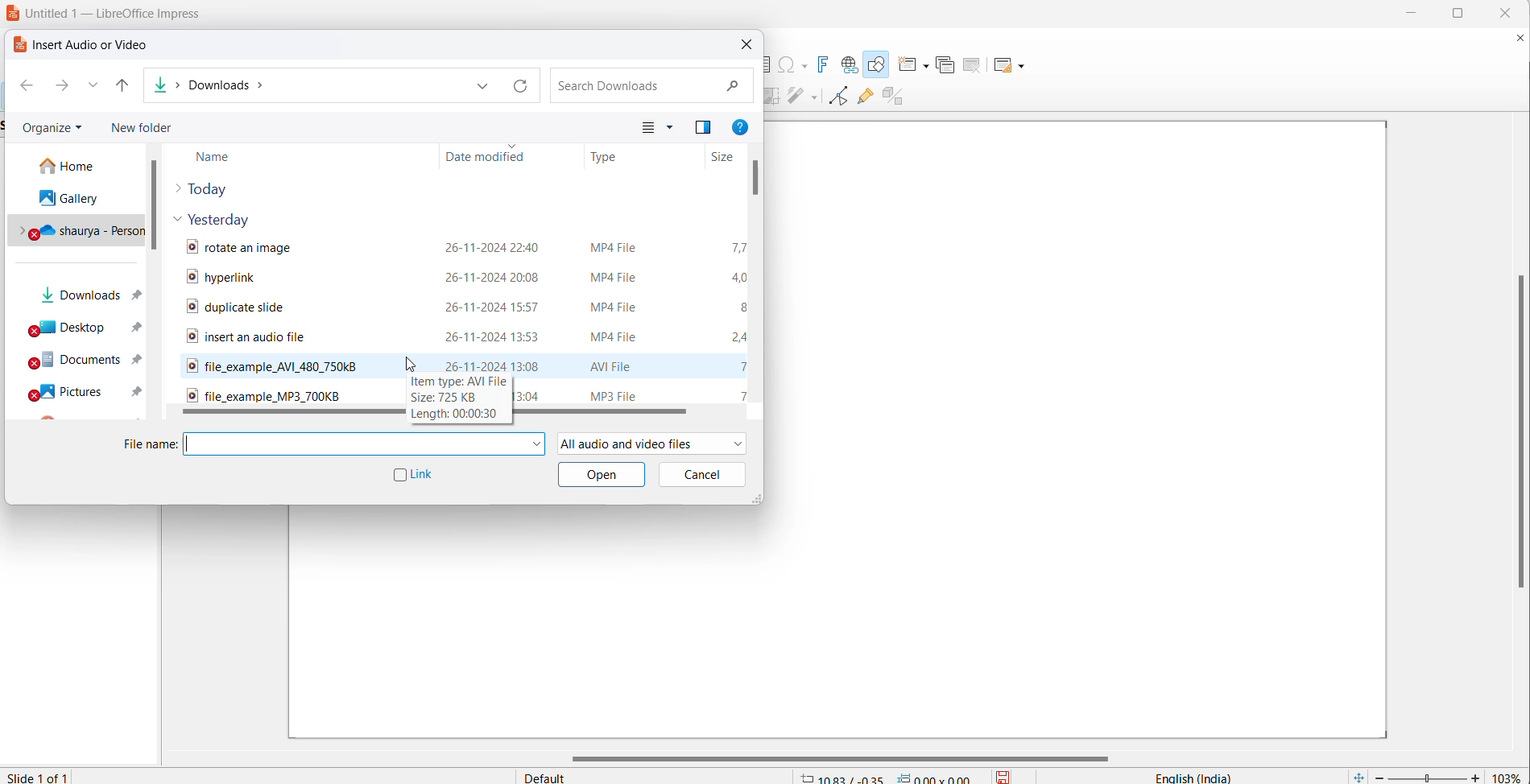  I want to click on open button, so click(603, 474).